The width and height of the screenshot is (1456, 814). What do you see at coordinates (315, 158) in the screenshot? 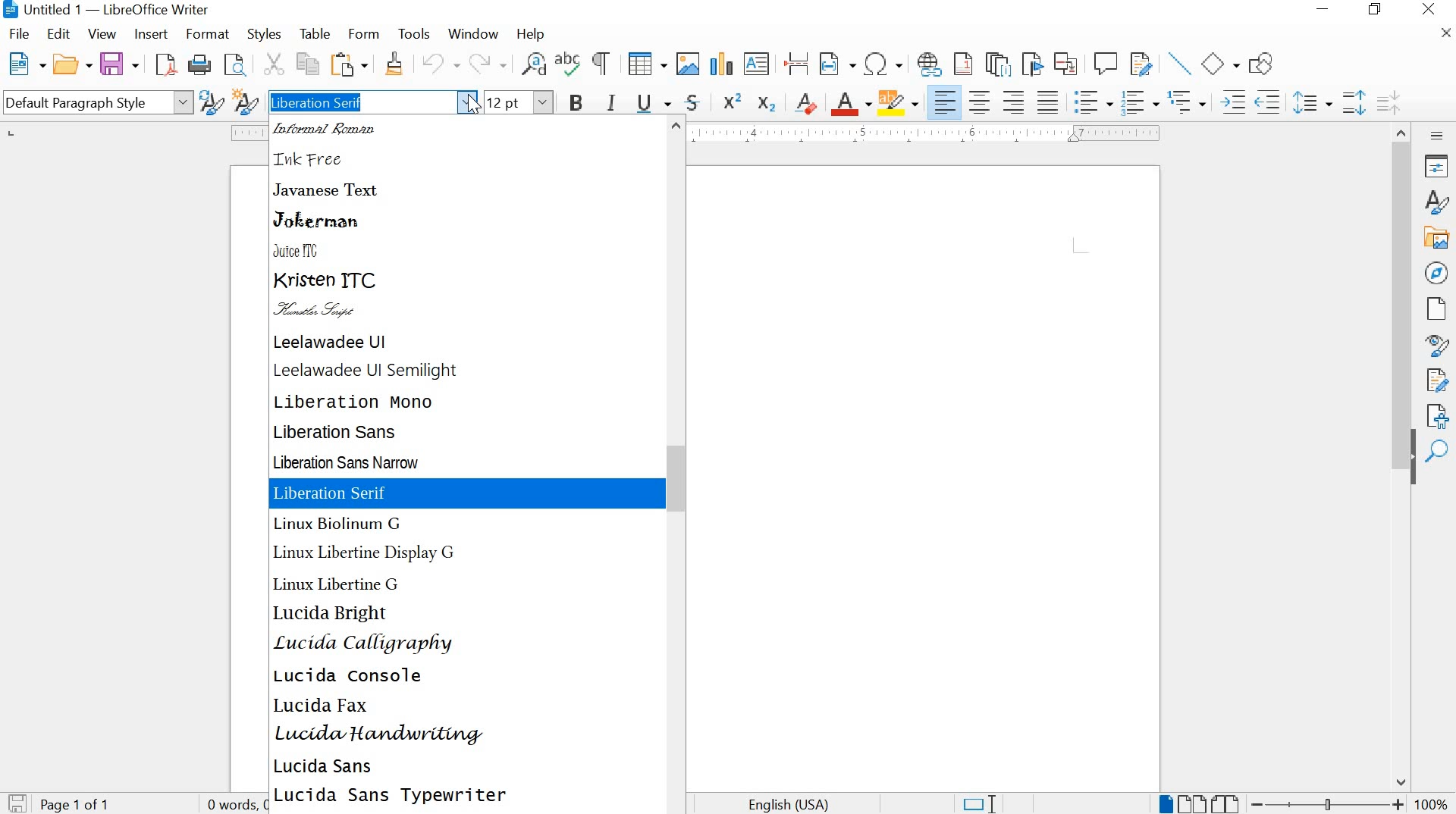
I see `INK FREE` at bounding box center [315, 158].